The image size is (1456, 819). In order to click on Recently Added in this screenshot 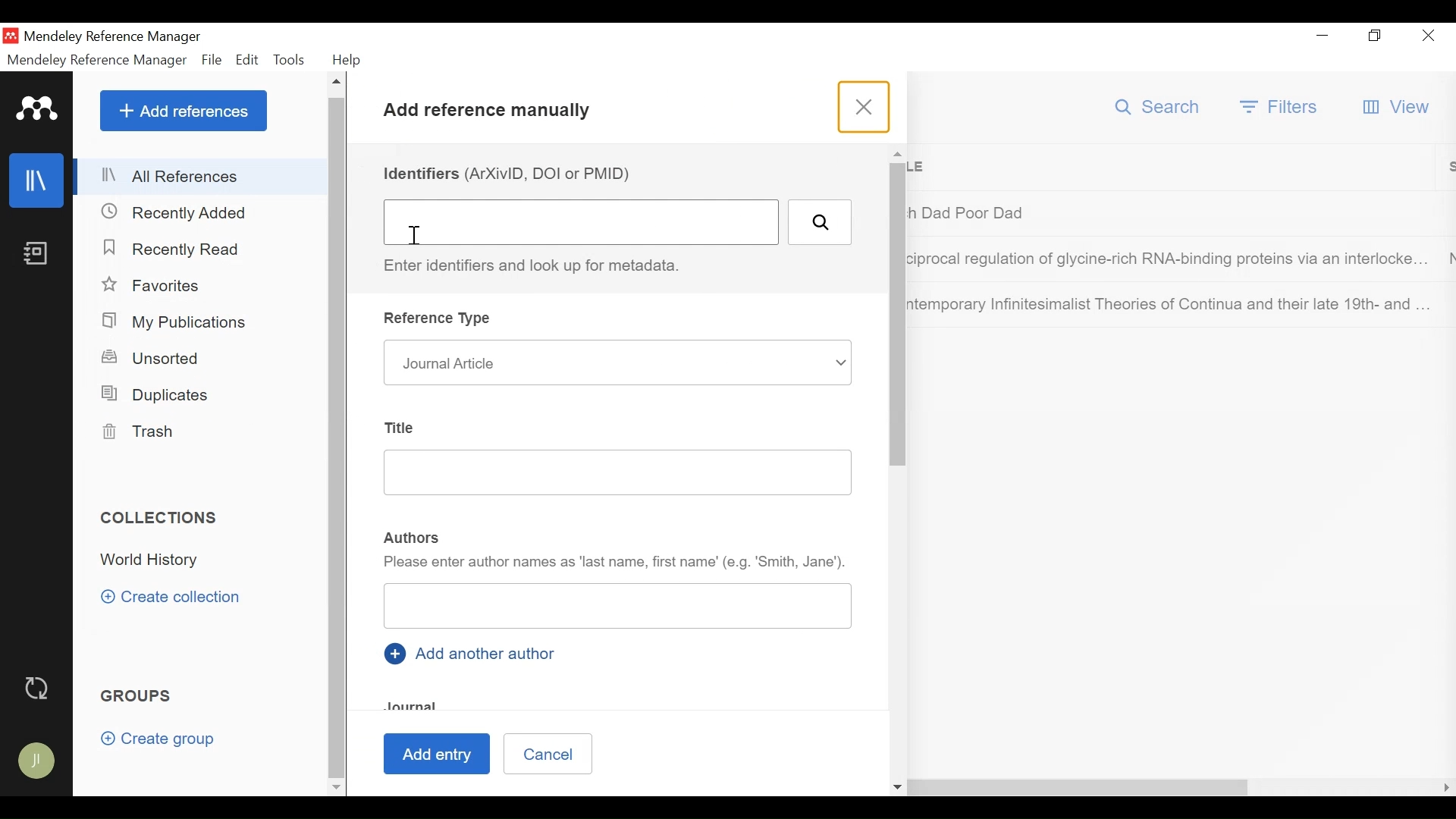, I will do `click(181, 212)`.